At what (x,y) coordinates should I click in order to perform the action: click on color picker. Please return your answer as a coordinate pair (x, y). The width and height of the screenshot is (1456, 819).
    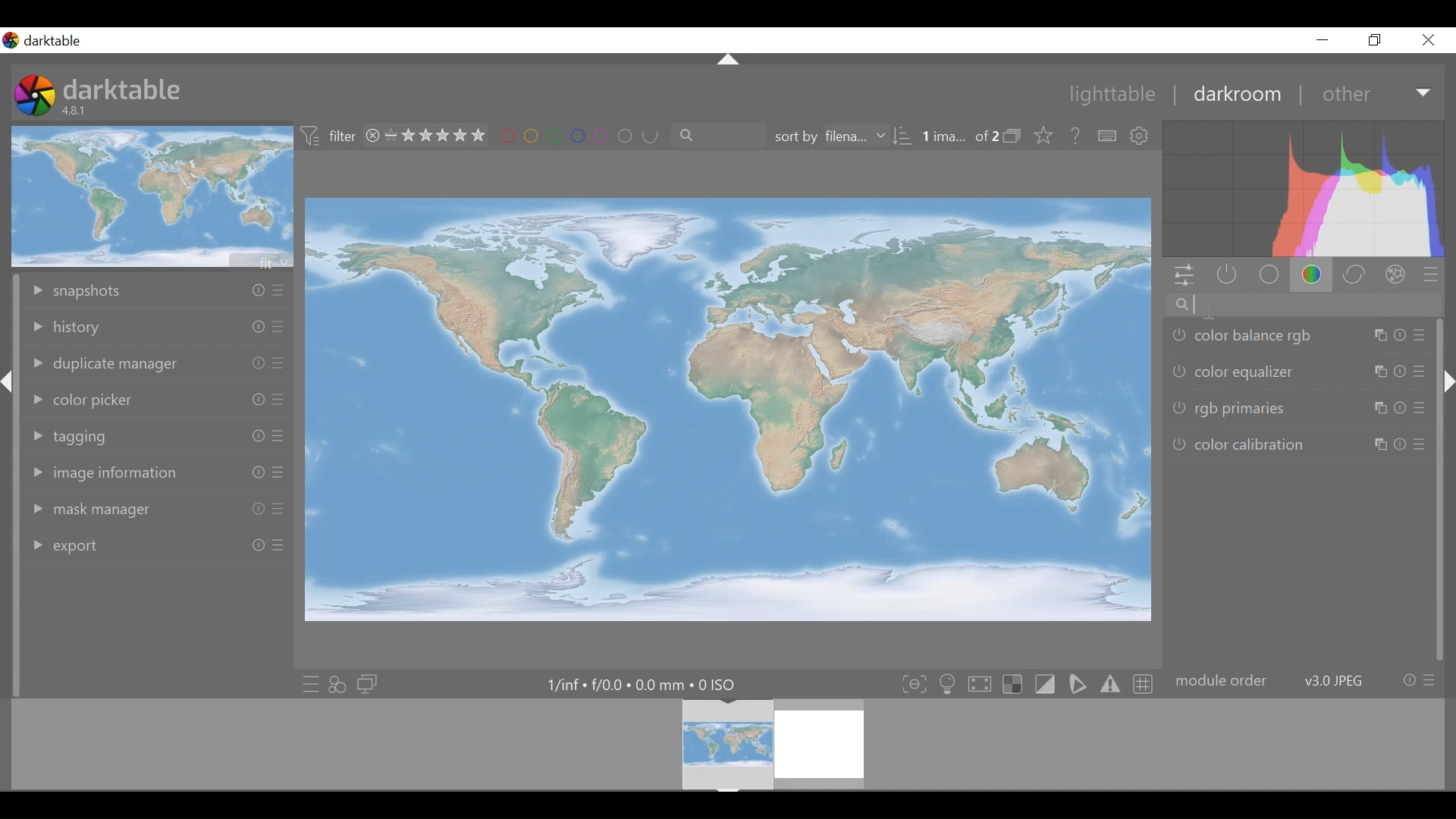
    Looking at the image, I should click on (158, 400).